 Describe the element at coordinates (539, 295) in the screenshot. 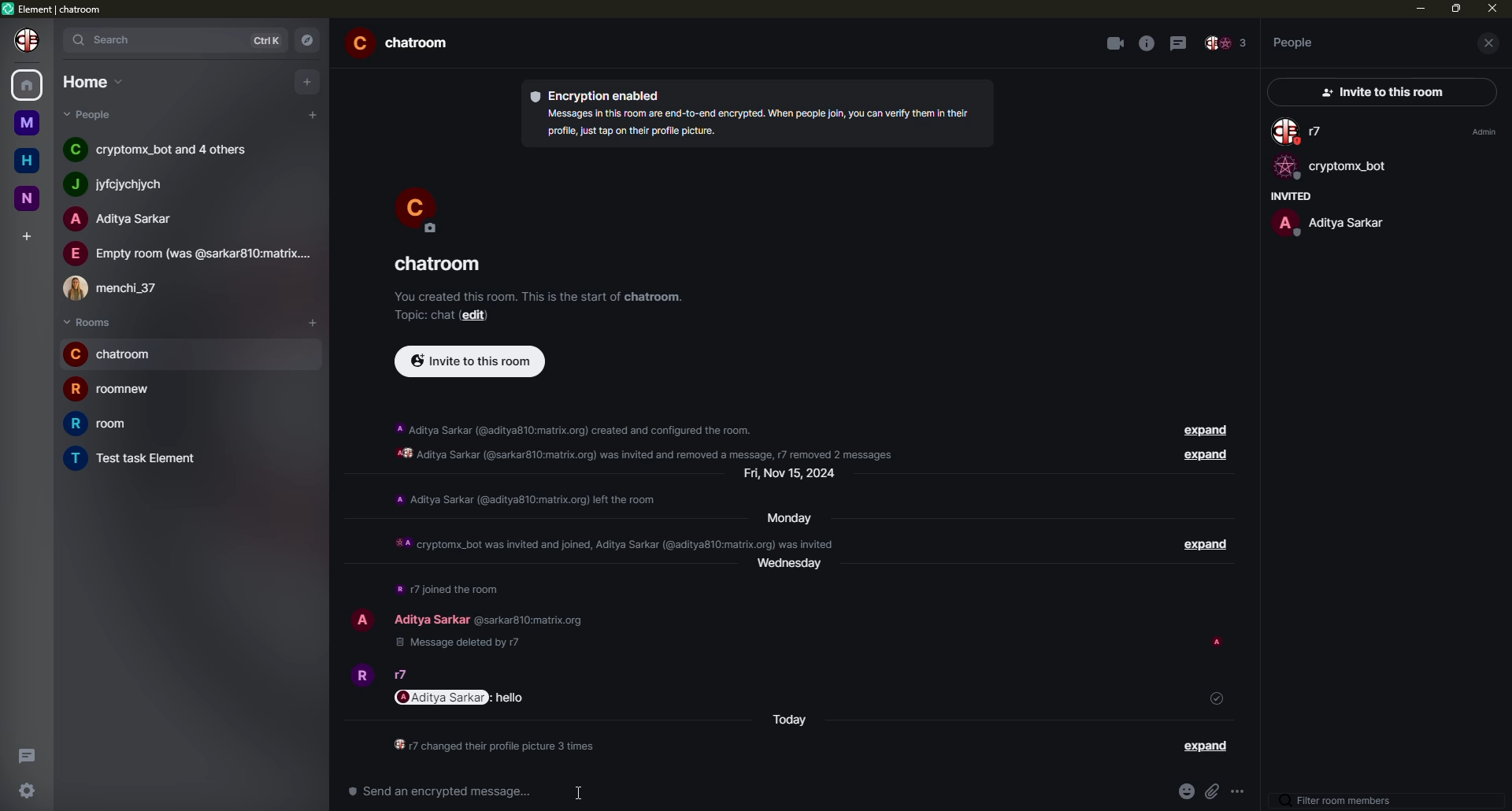

I see `info` at that location.